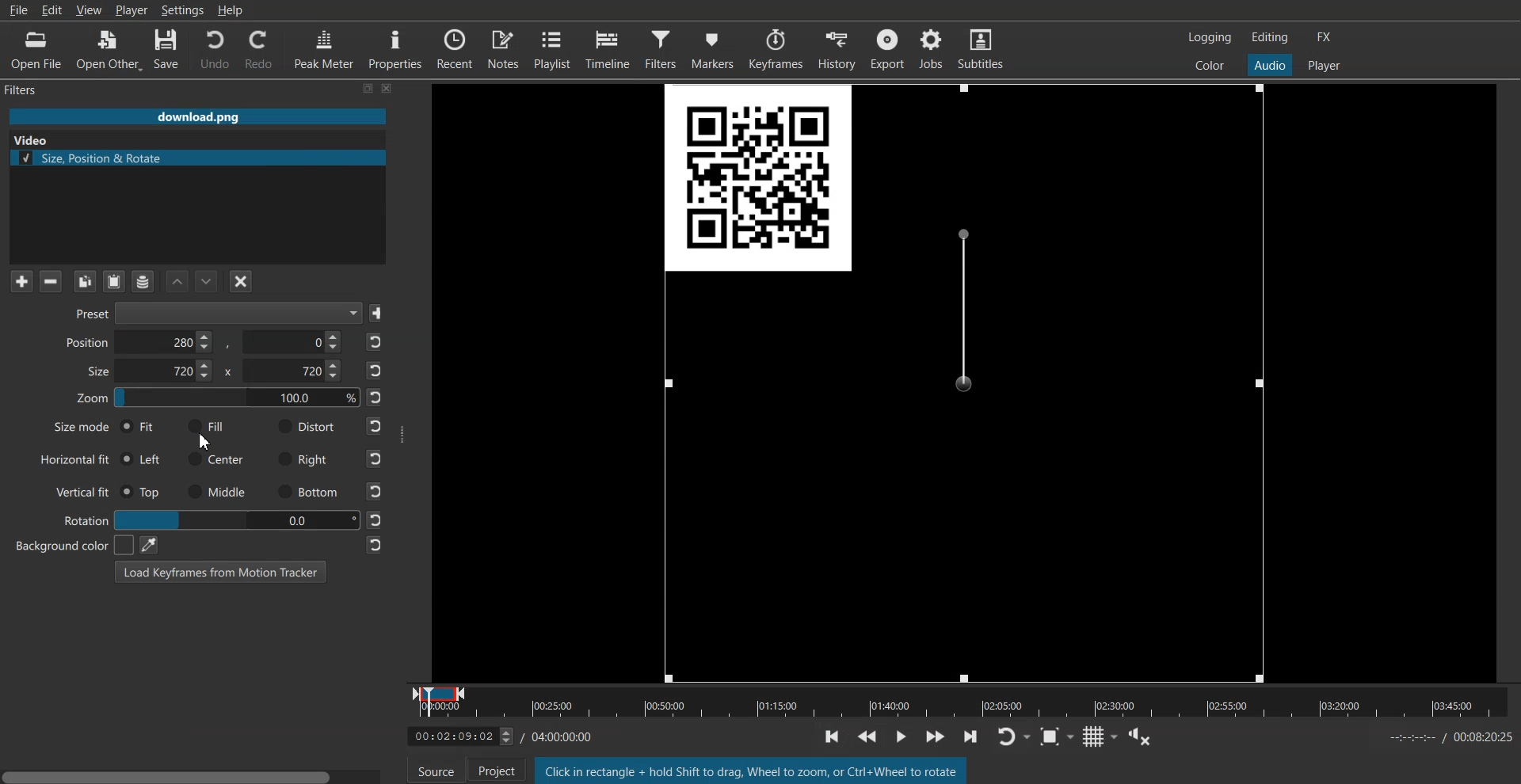  Describe the element at coordinates (148, 544) in the screenshot. I see `Pic color from the screen` at that location.